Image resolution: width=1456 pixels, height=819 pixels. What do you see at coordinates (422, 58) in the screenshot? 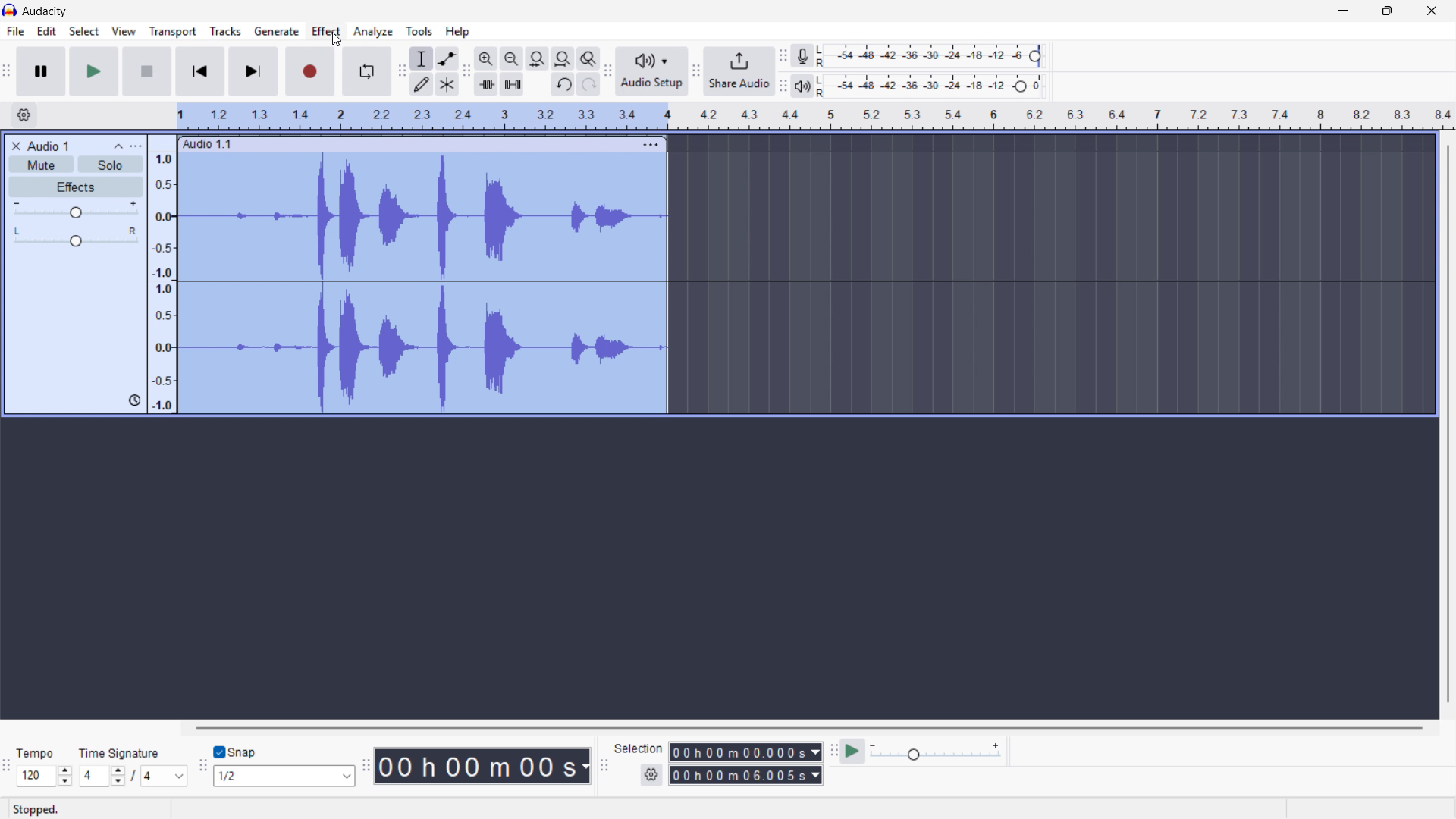
I see `Selection tool` at bounding box center [422, 58].